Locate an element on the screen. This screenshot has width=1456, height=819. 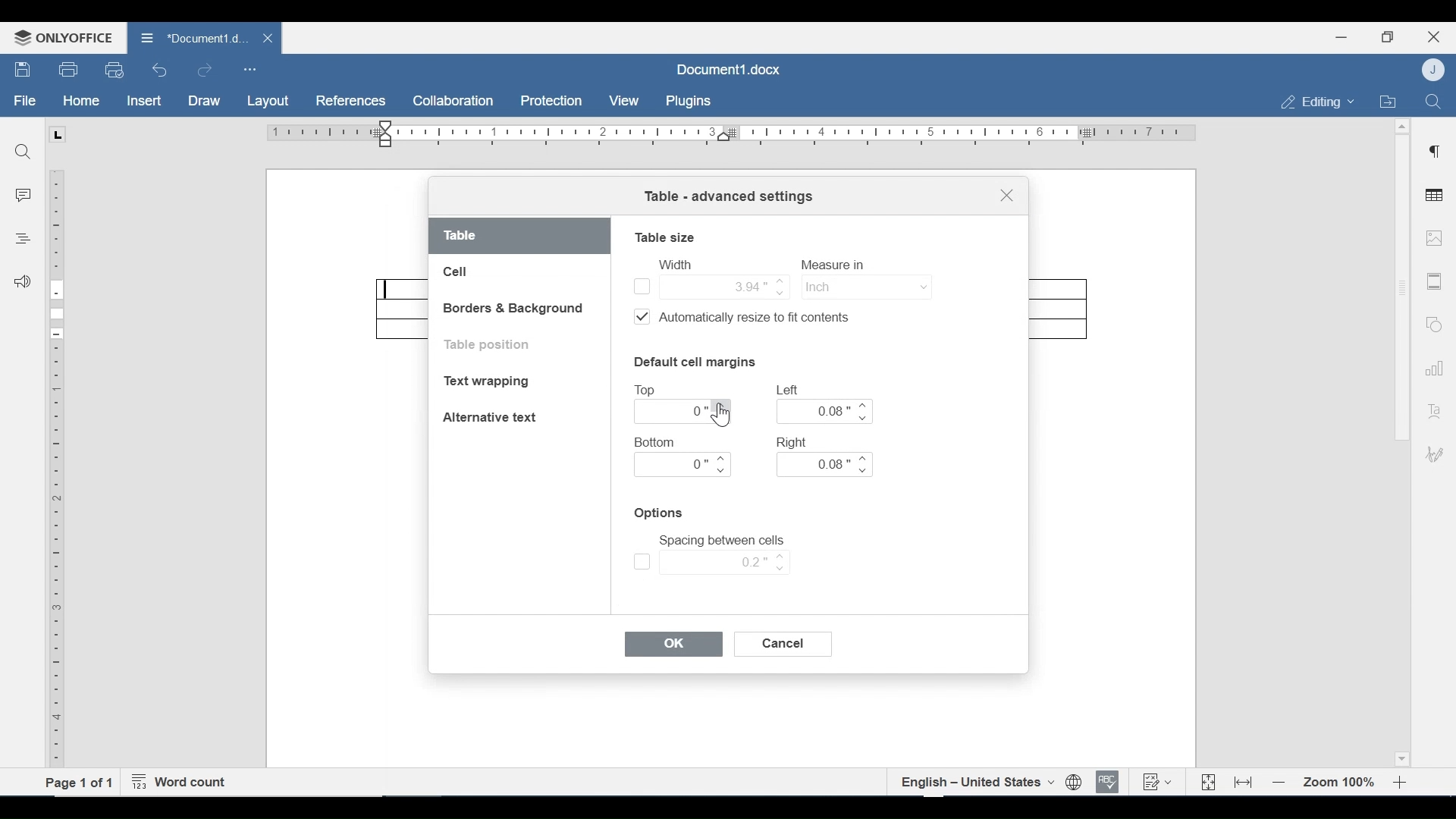
Graph is located at coordinates (1431, 366).